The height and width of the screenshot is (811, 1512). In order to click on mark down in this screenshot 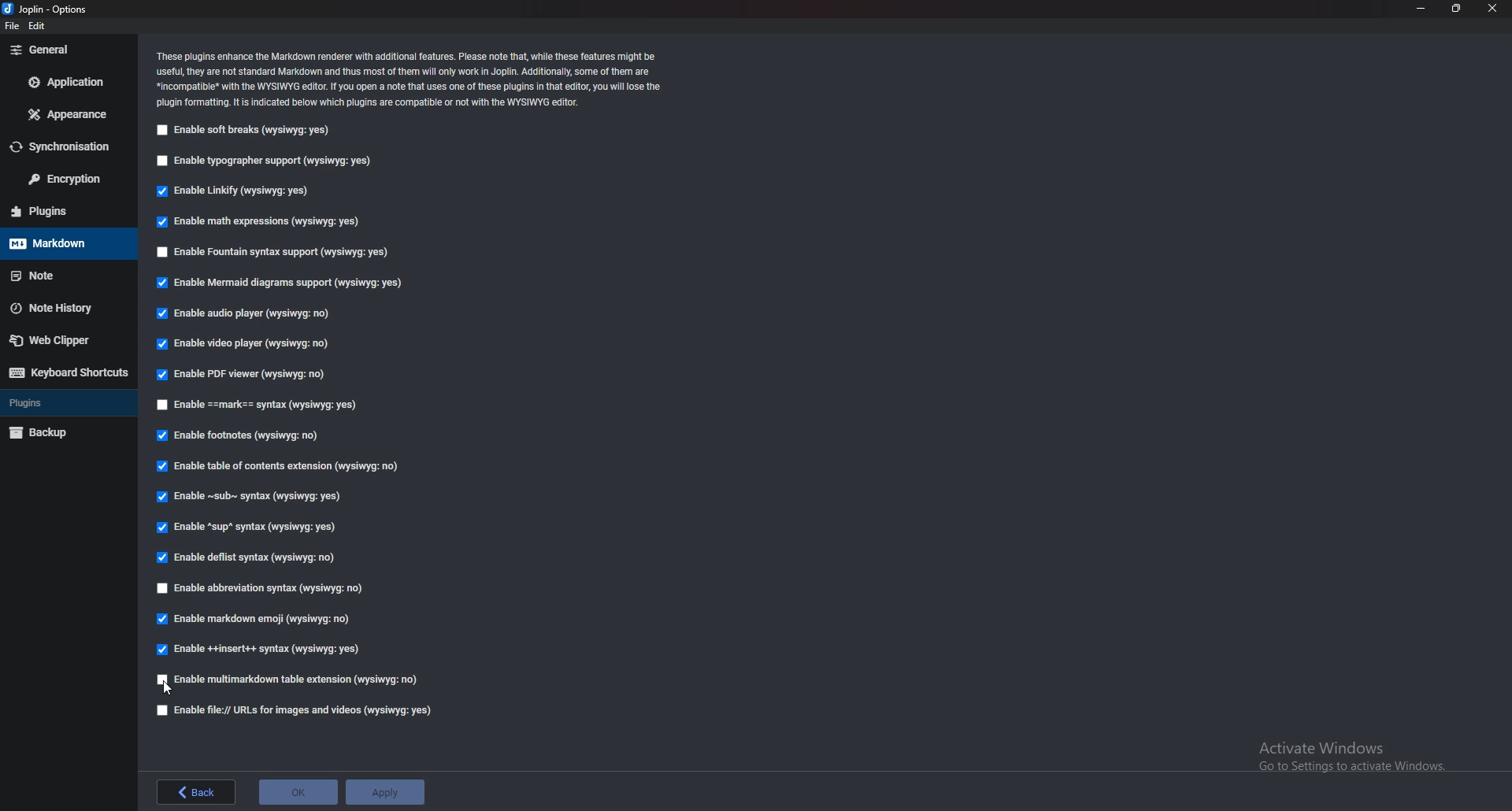, I will do `click(61, 243)`.